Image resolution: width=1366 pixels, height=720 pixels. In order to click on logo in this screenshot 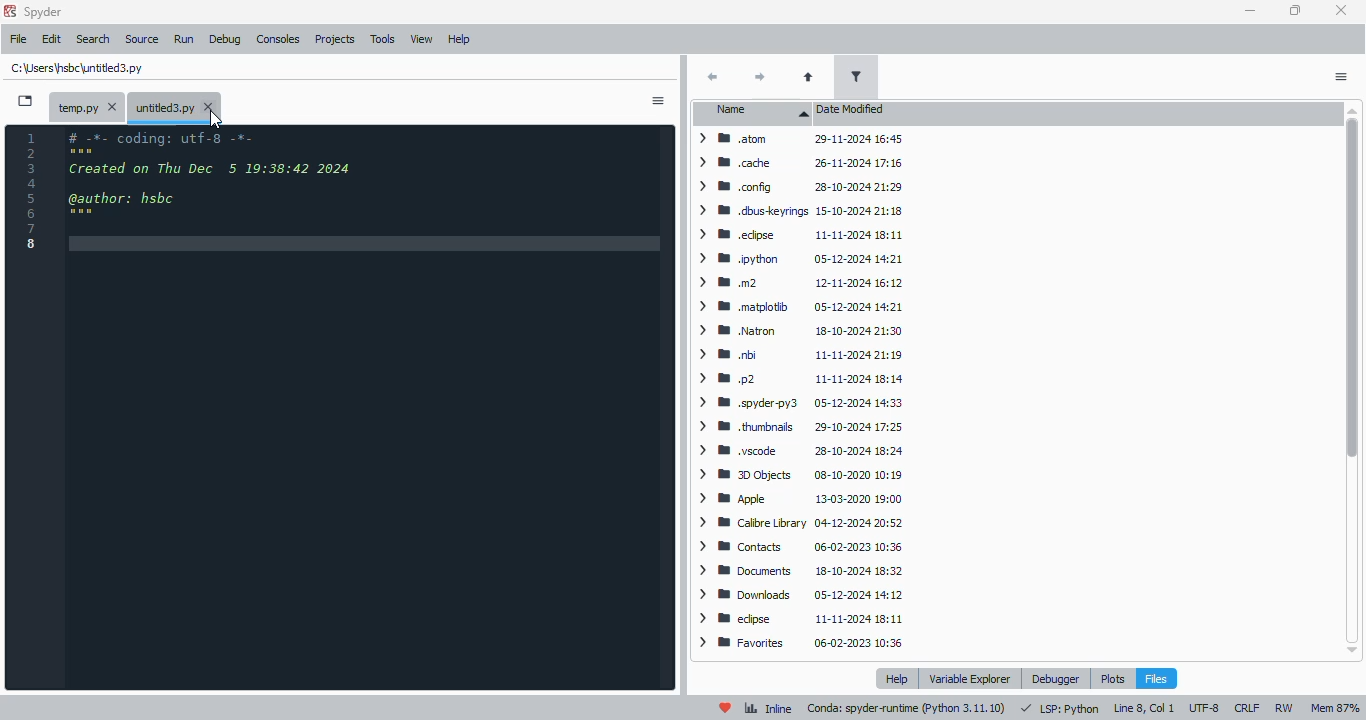, I will do `click(10, 10)`.